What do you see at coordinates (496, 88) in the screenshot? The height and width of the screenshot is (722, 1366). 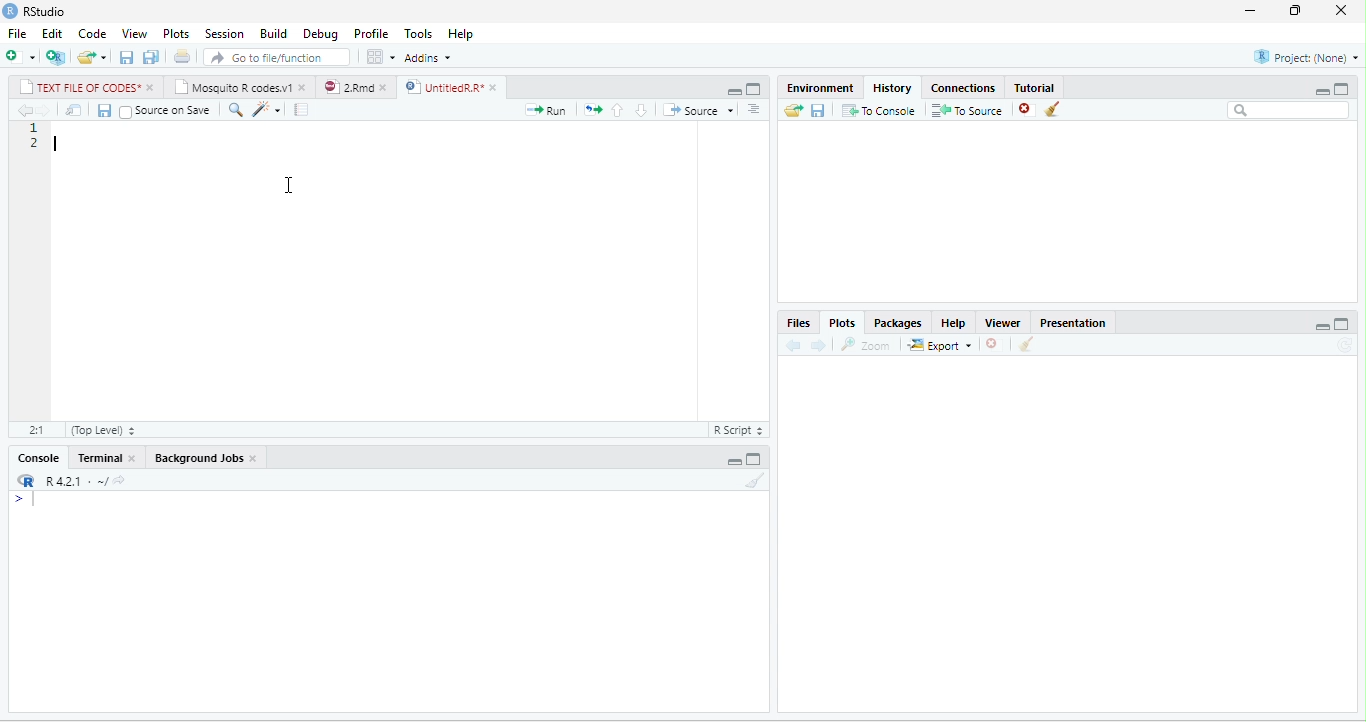 I see `close` at bounding box center [496, 88].